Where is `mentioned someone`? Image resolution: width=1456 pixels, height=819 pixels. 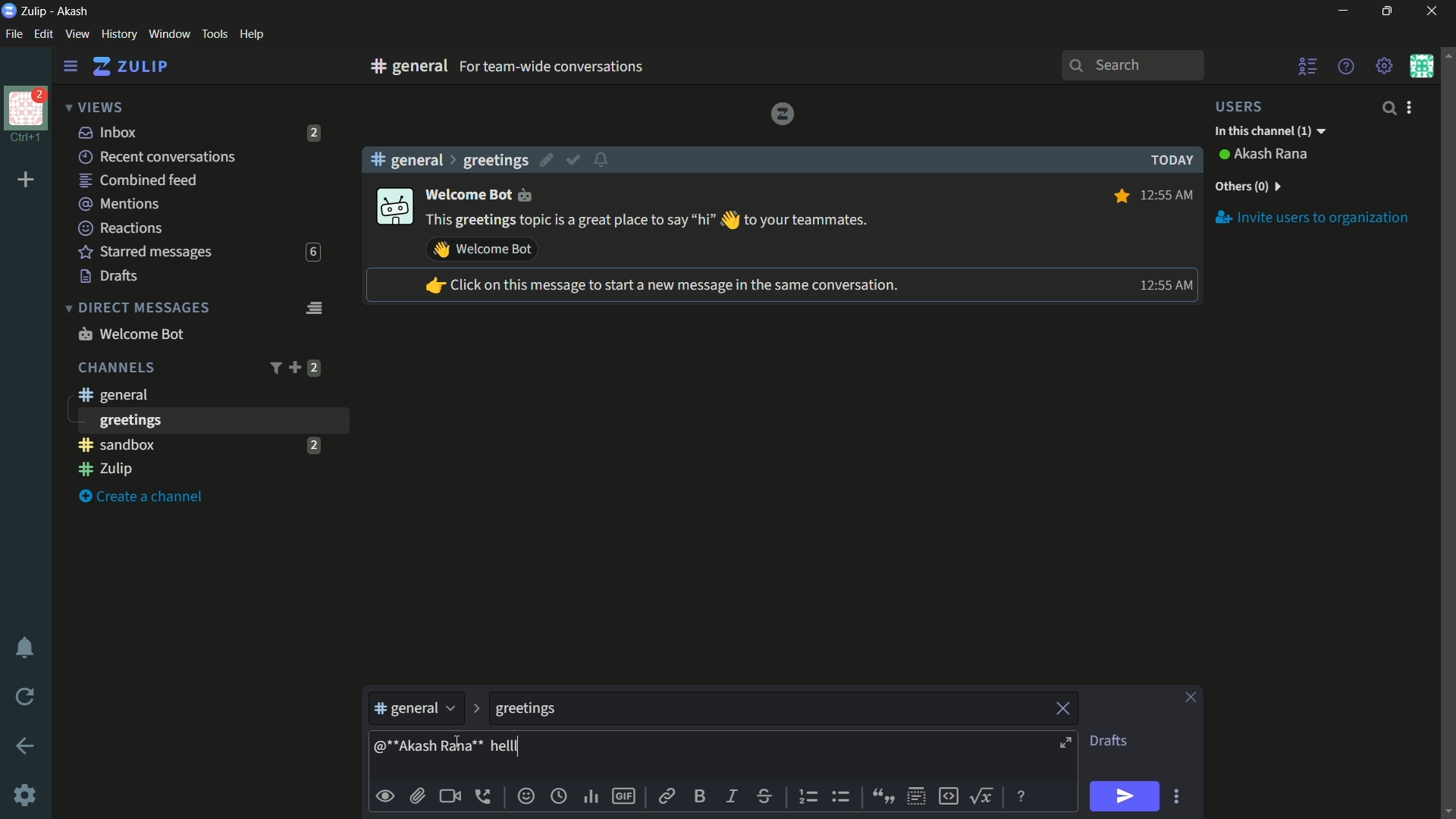 mentioned someone is located at coordinates (430, 749).